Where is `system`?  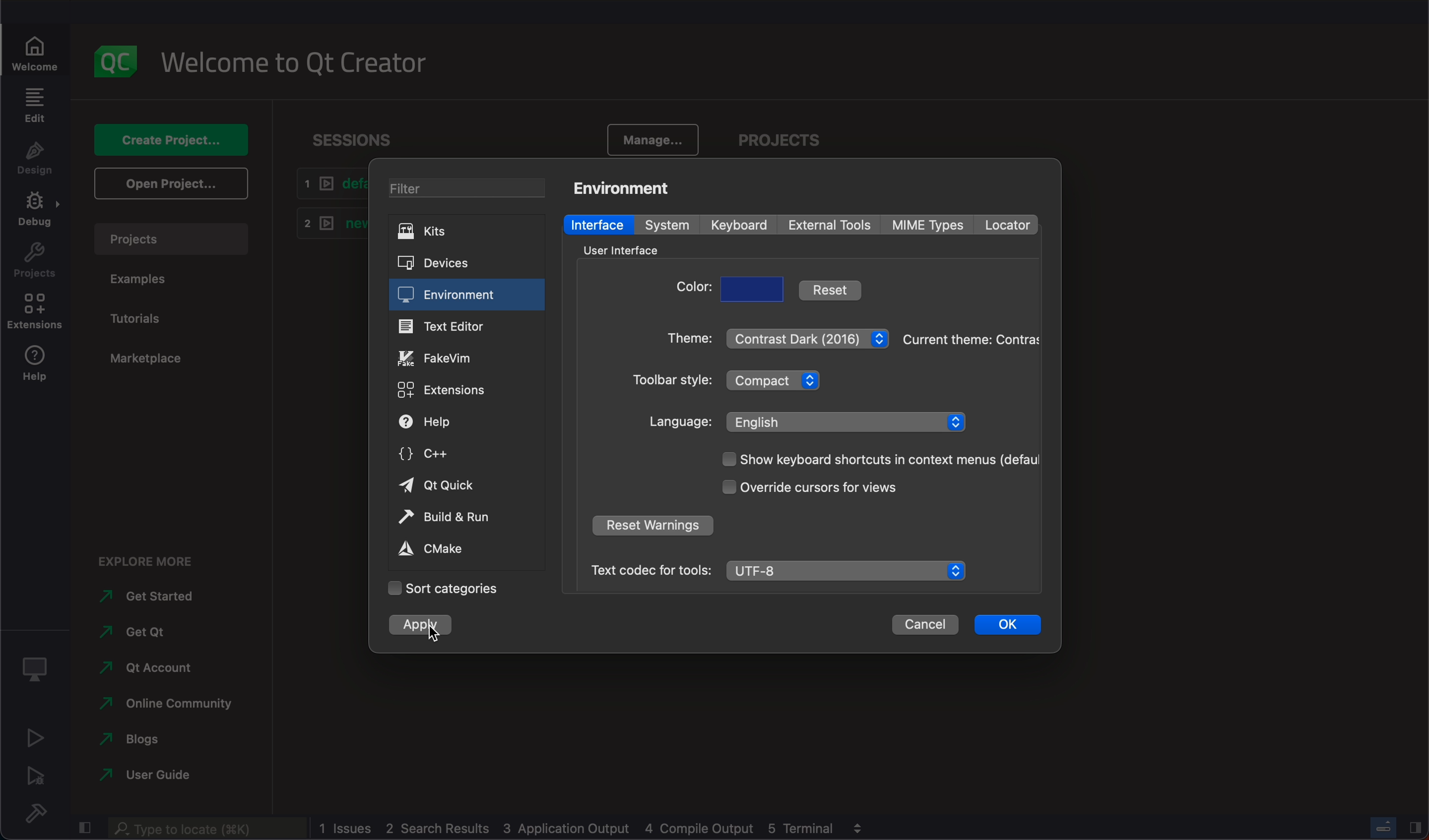
system is located at coordinates (665, 225).